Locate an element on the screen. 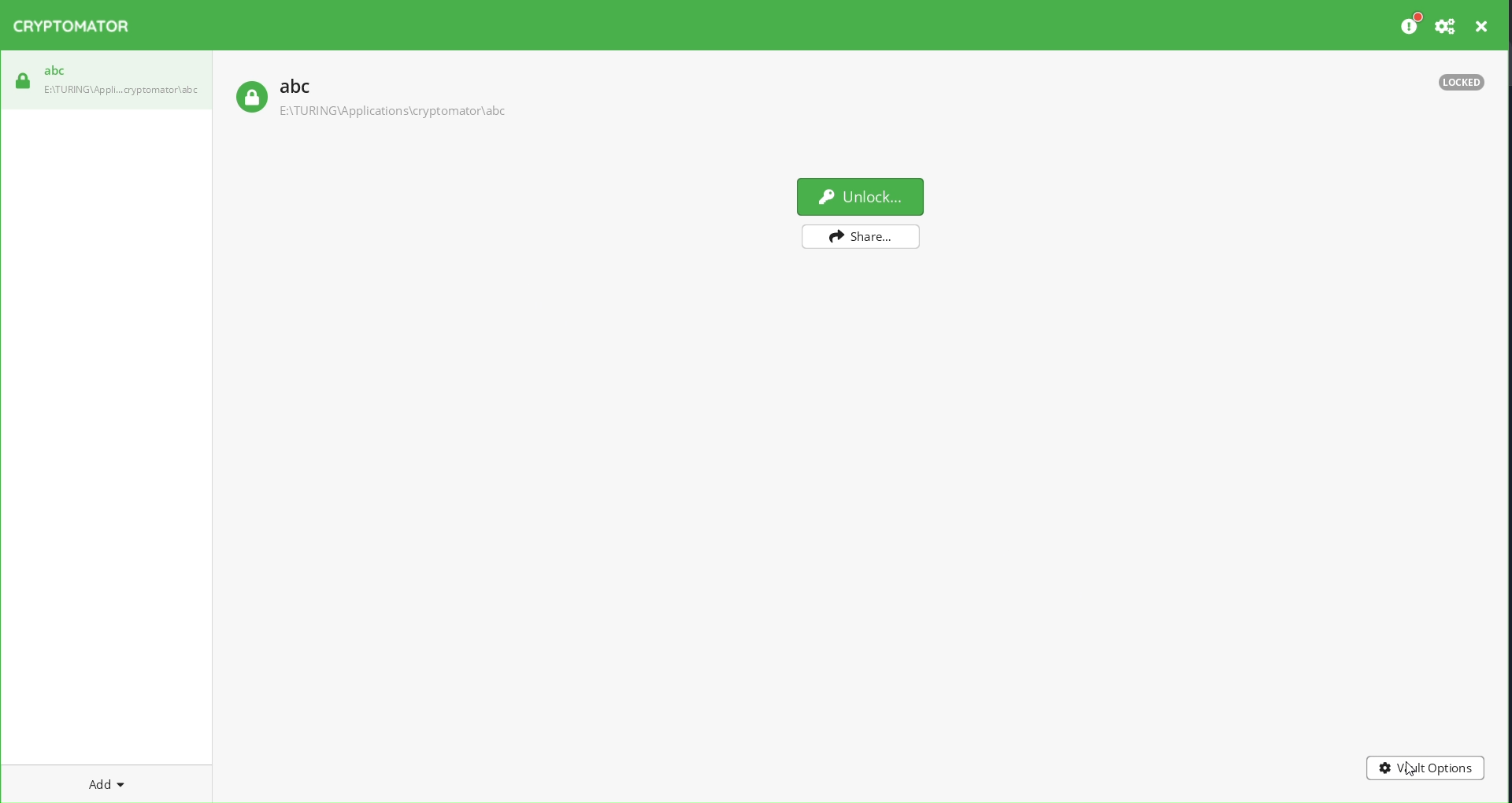  cursor is located at coordinates (1409, 766).